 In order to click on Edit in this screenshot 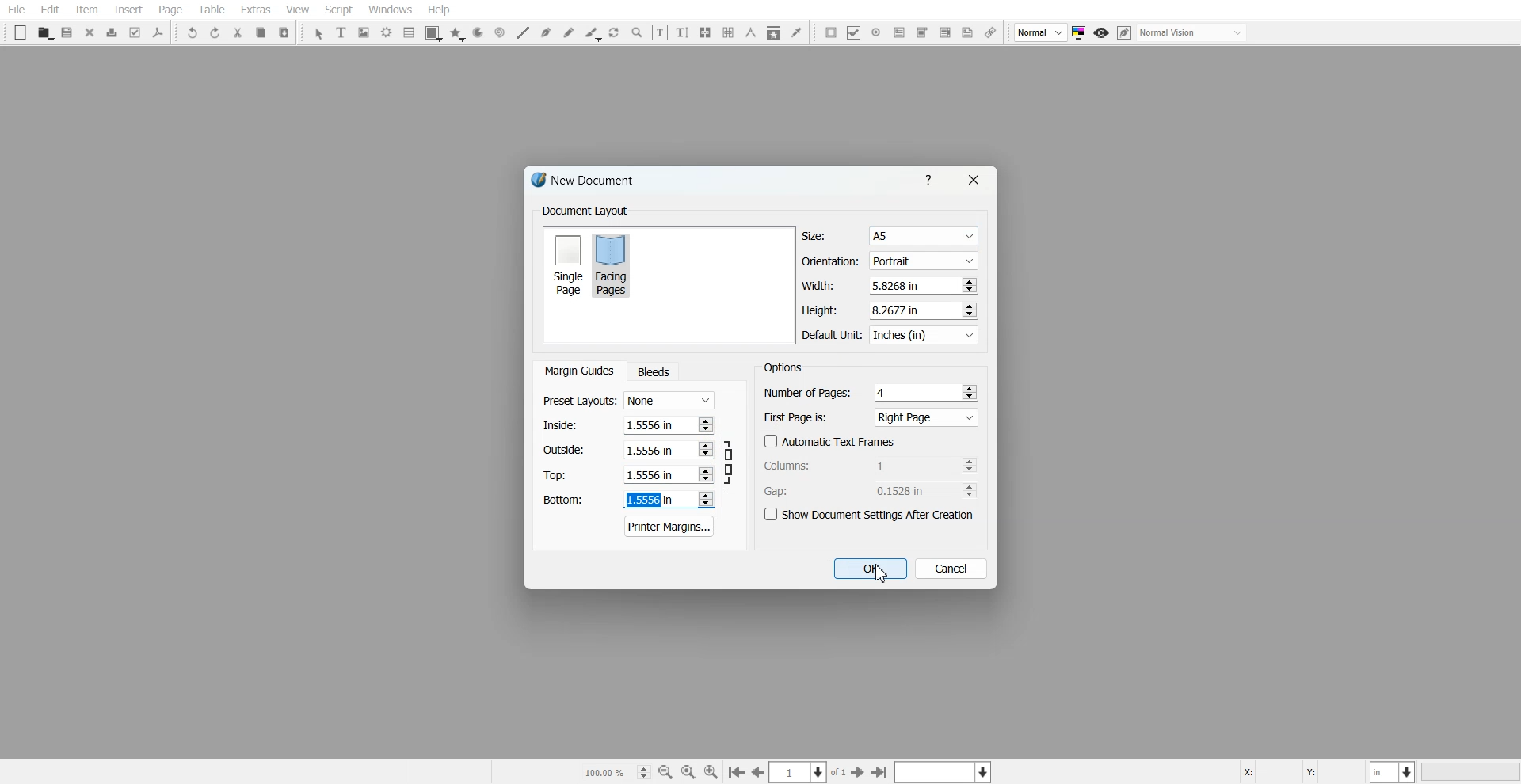, I will do `click(49, 10)`.